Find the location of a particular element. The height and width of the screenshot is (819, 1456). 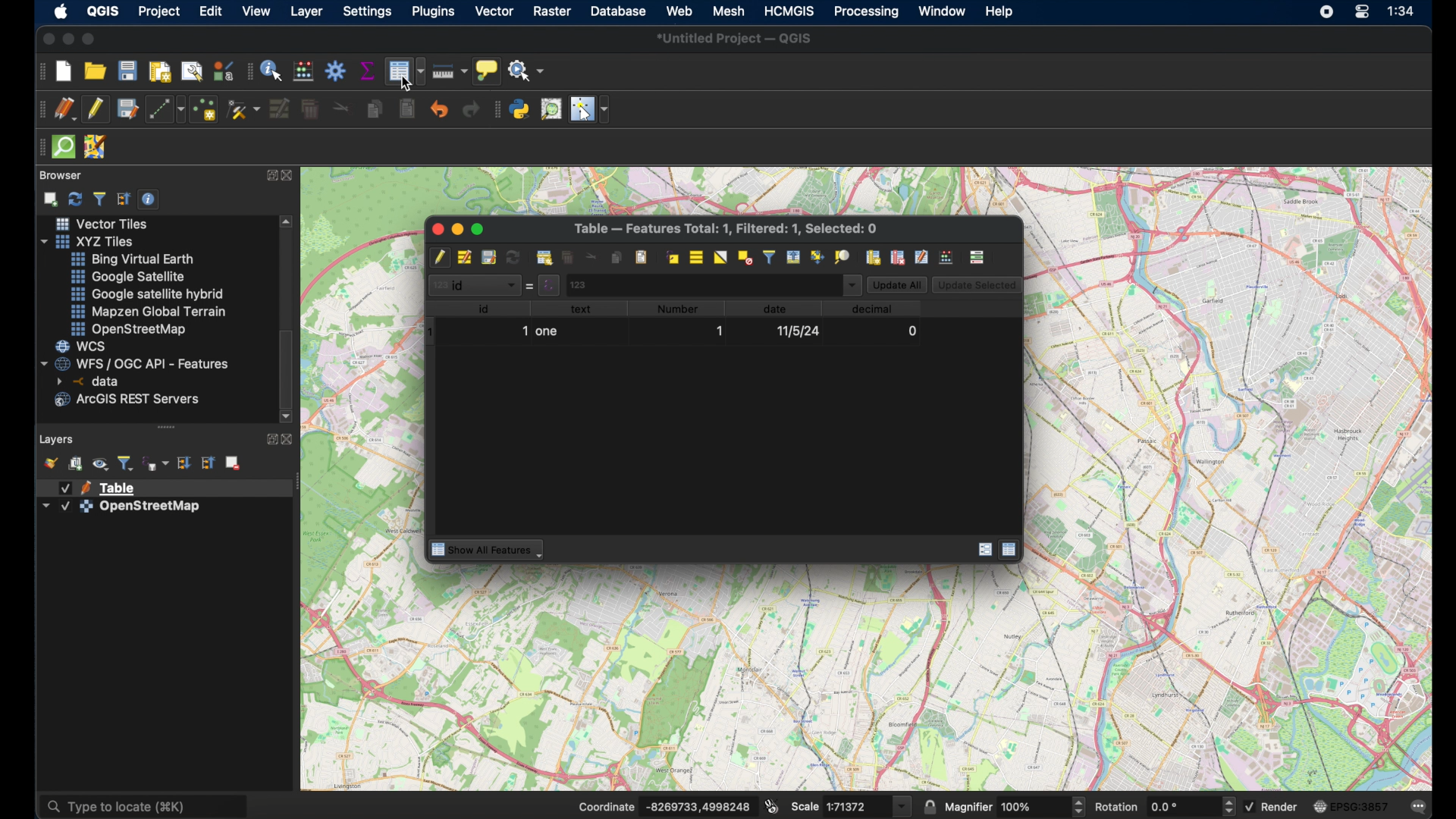

modify attributes is located at coordinates (279, 108).